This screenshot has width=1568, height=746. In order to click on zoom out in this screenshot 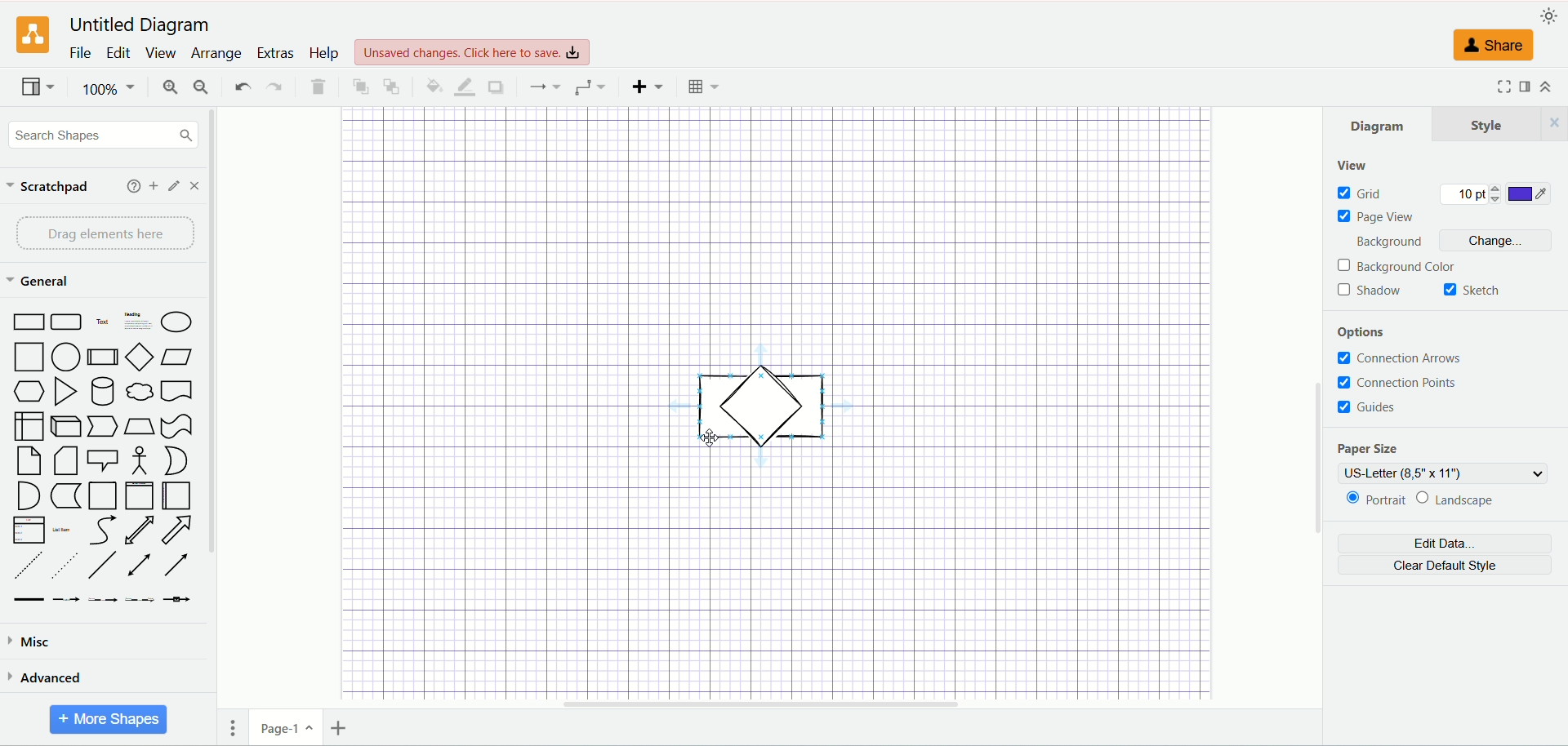, I will do `click(198, 88)`.